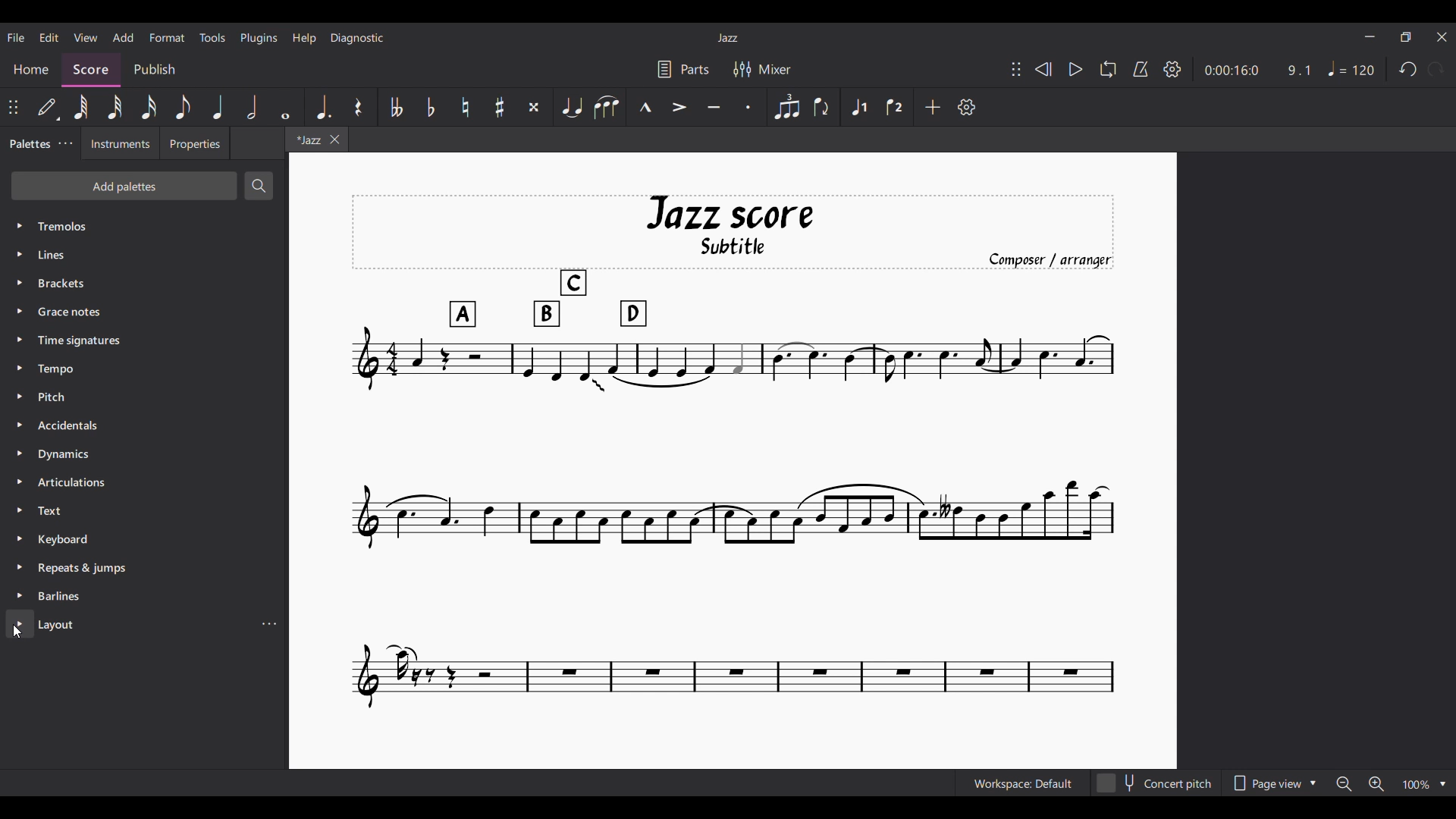 This screenshot has height=819, width=1456. I want to click on Home section, so click(31, 69).